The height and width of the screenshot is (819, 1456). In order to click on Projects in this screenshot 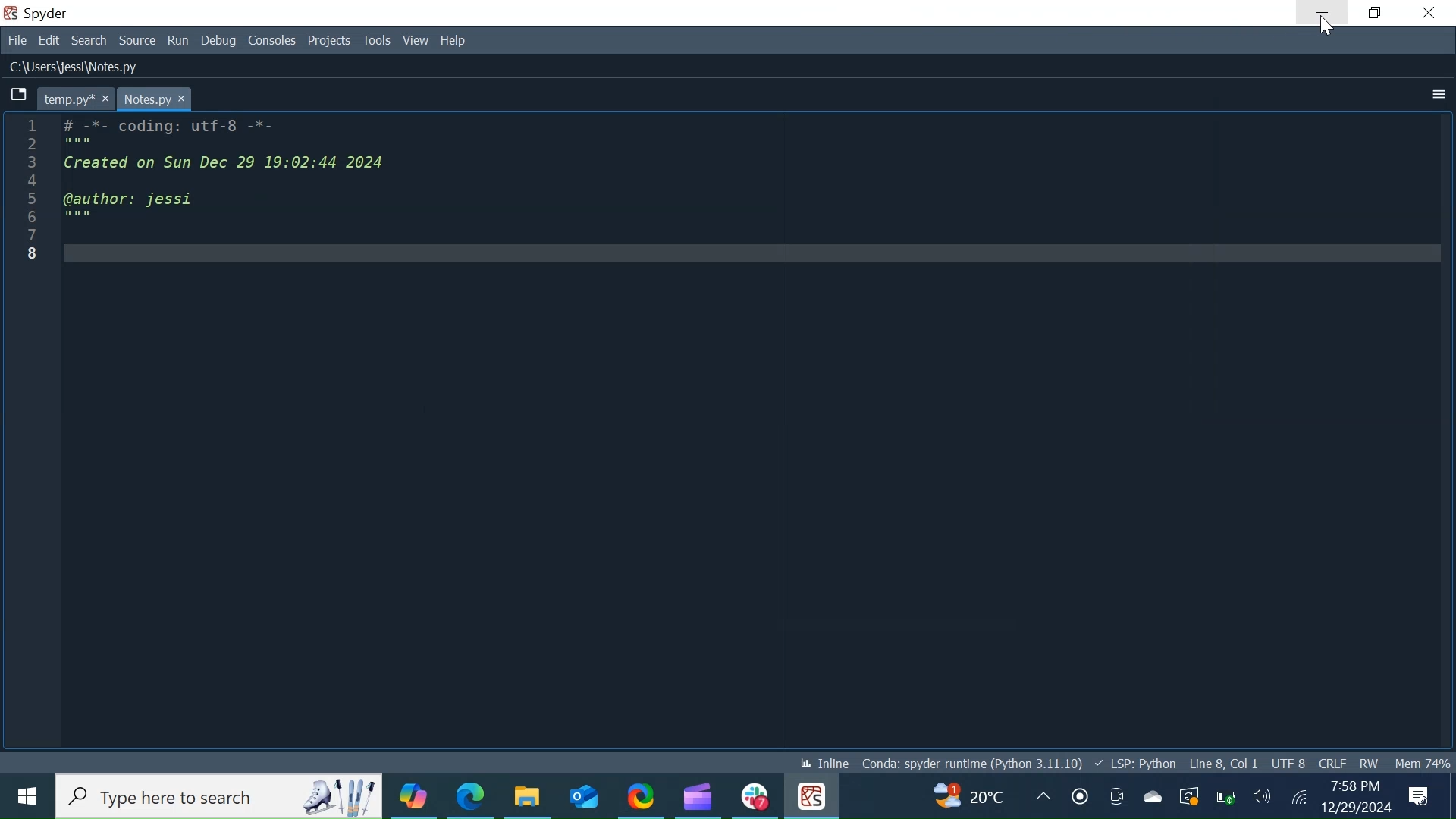, I will do `click(331, 42)`.